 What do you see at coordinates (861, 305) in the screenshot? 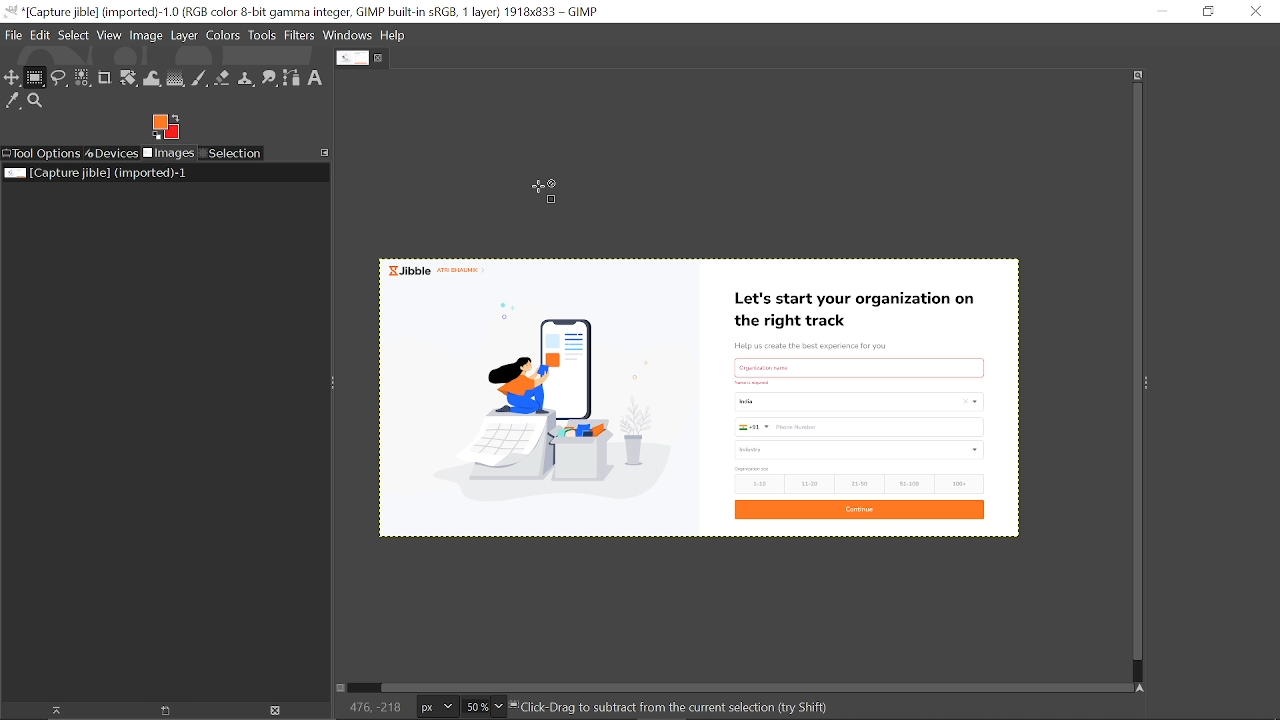
I see `Let's start your organization on
the right track` at bounding box center [861, 305].